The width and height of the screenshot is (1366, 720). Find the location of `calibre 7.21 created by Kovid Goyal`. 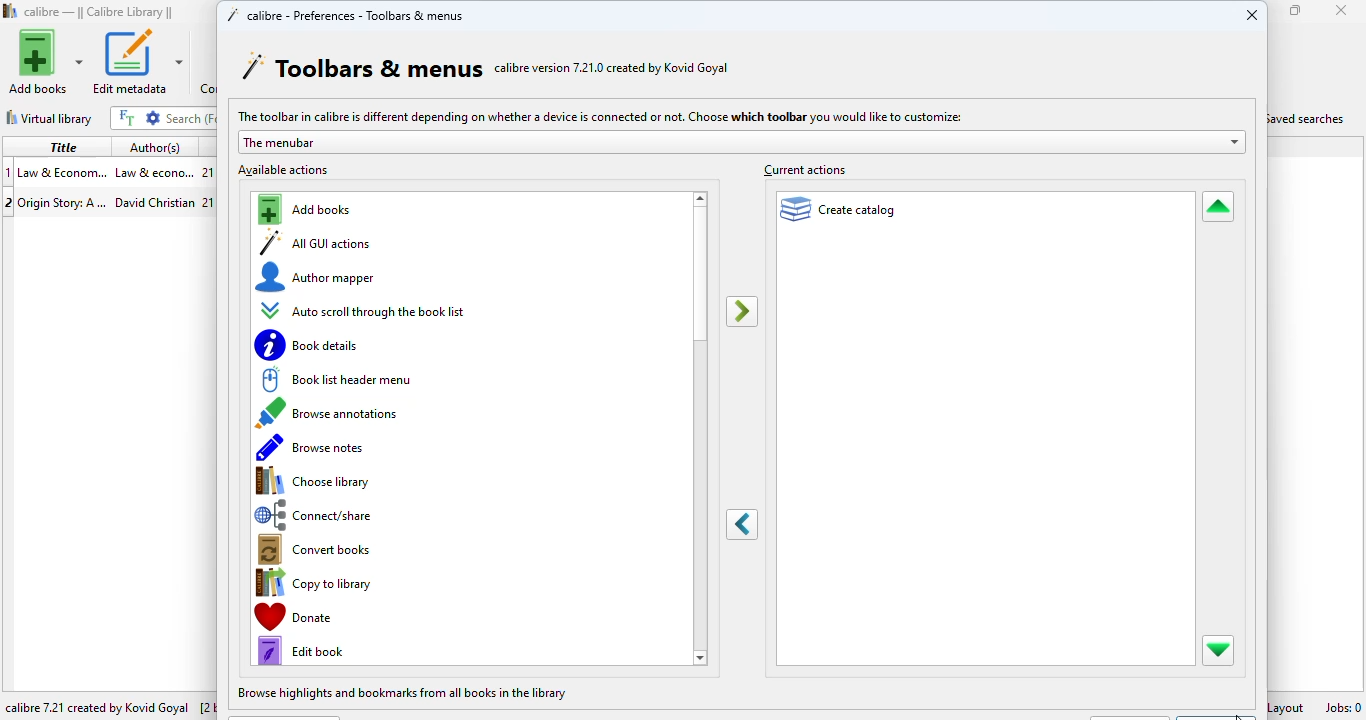

calibre 7.21 created by Kovid Goyal is located at coordinates (98, 708).